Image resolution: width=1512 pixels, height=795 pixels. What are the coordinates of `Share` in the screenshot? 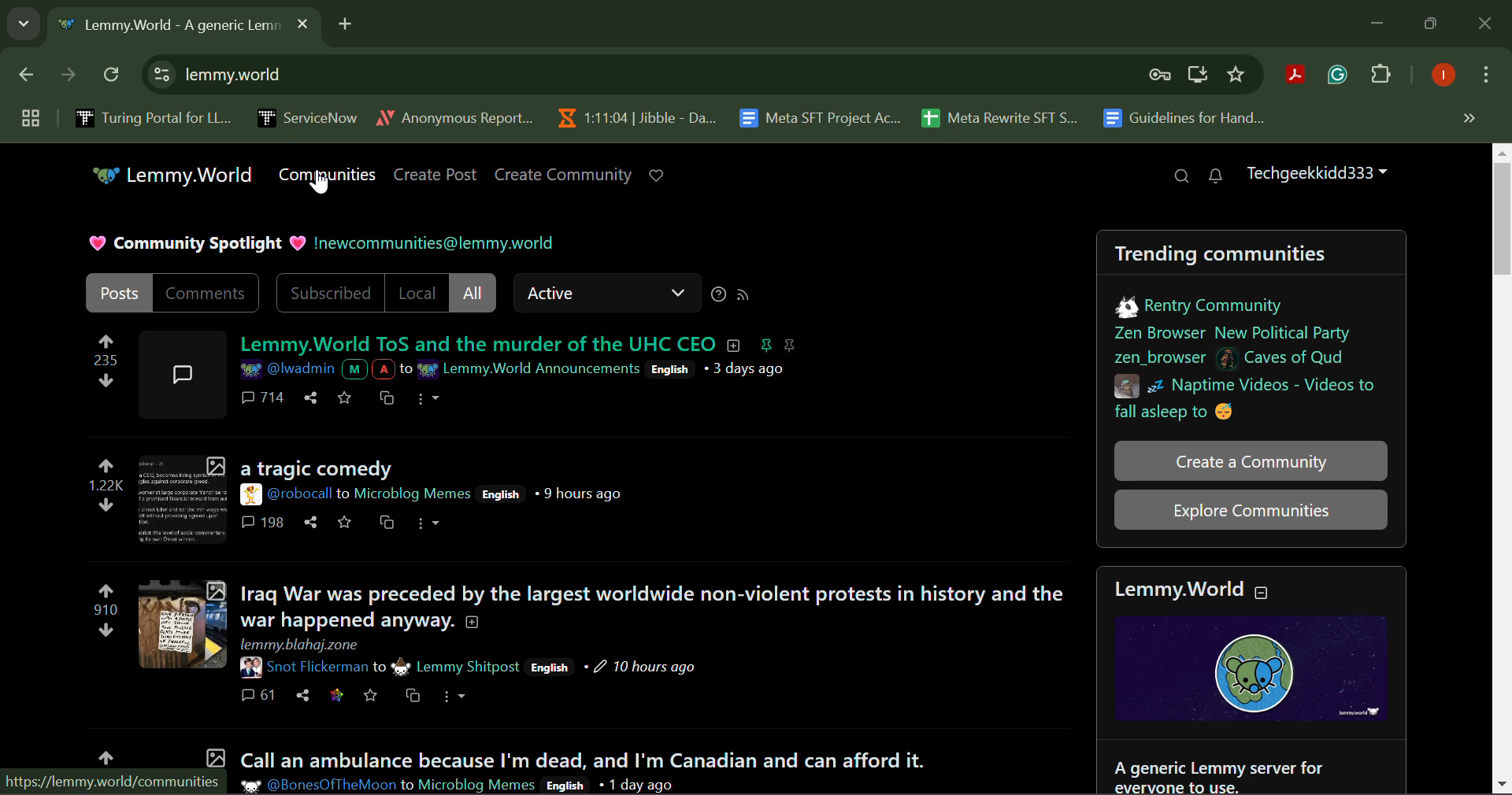 It's located at (302, 694).